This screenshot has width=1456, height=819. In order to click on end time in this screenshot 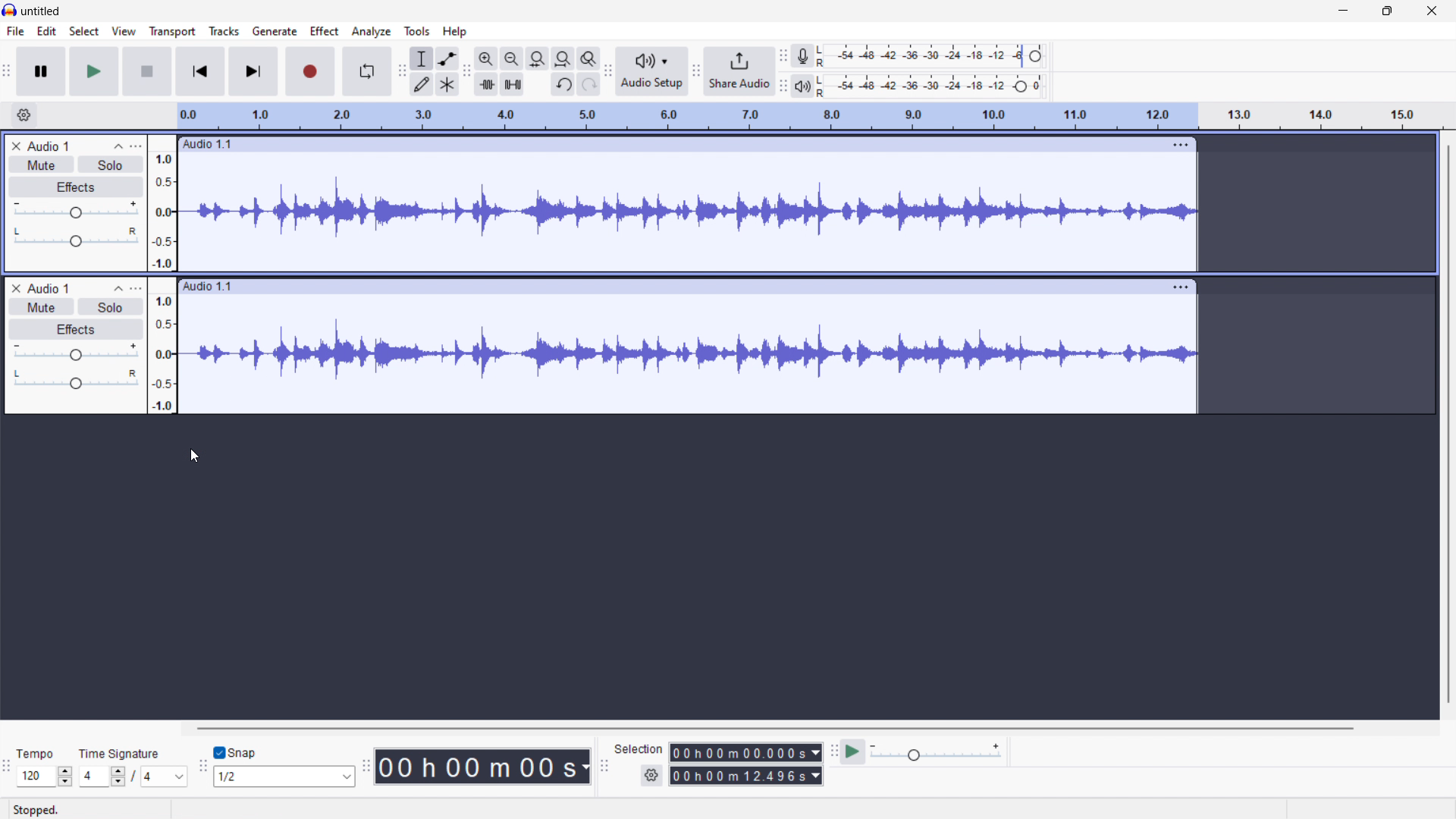, I will do `click(747, 777)`.